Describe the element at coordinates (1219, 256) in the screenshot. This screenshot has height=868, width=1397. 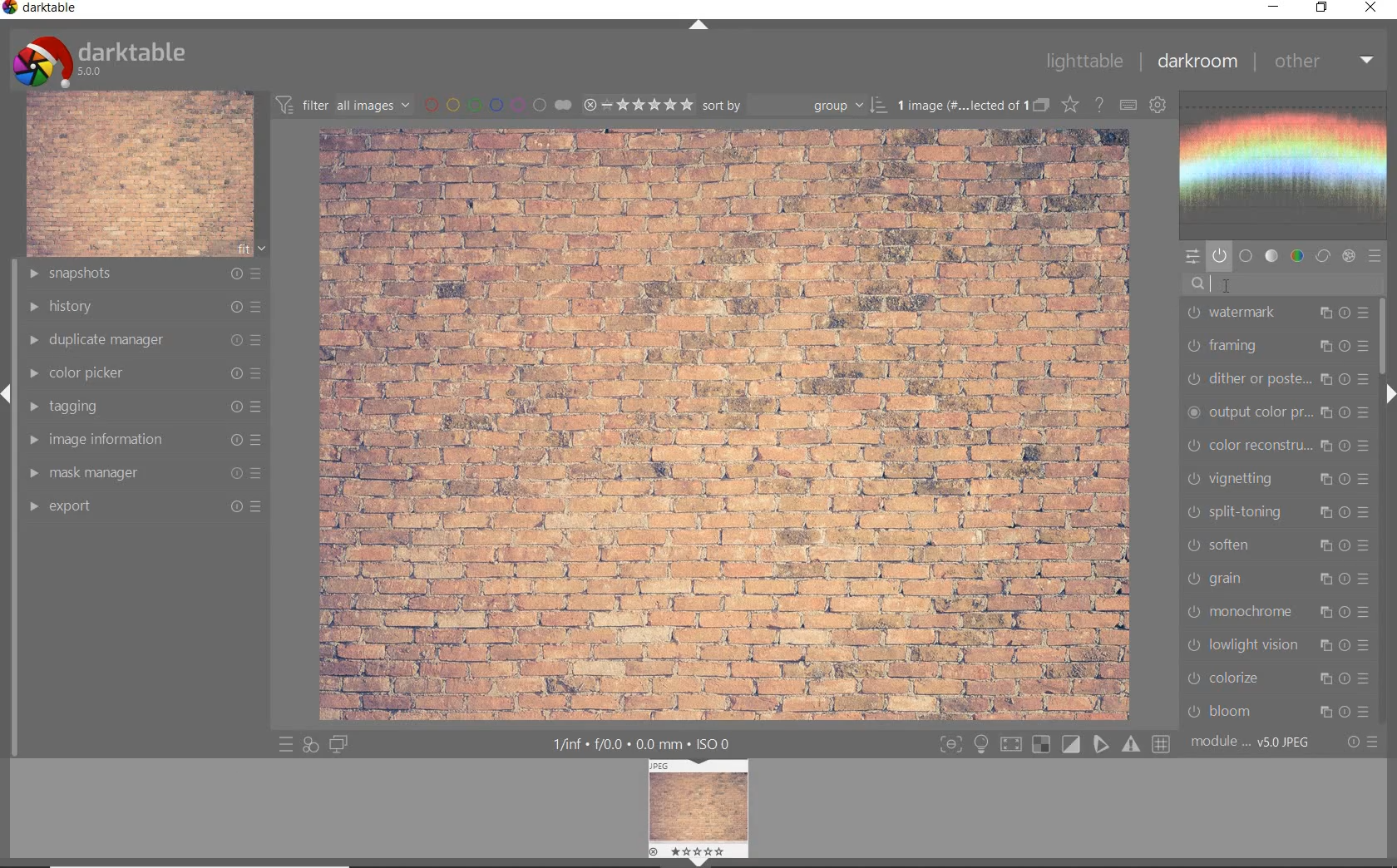
I see `show only active module` at that location.